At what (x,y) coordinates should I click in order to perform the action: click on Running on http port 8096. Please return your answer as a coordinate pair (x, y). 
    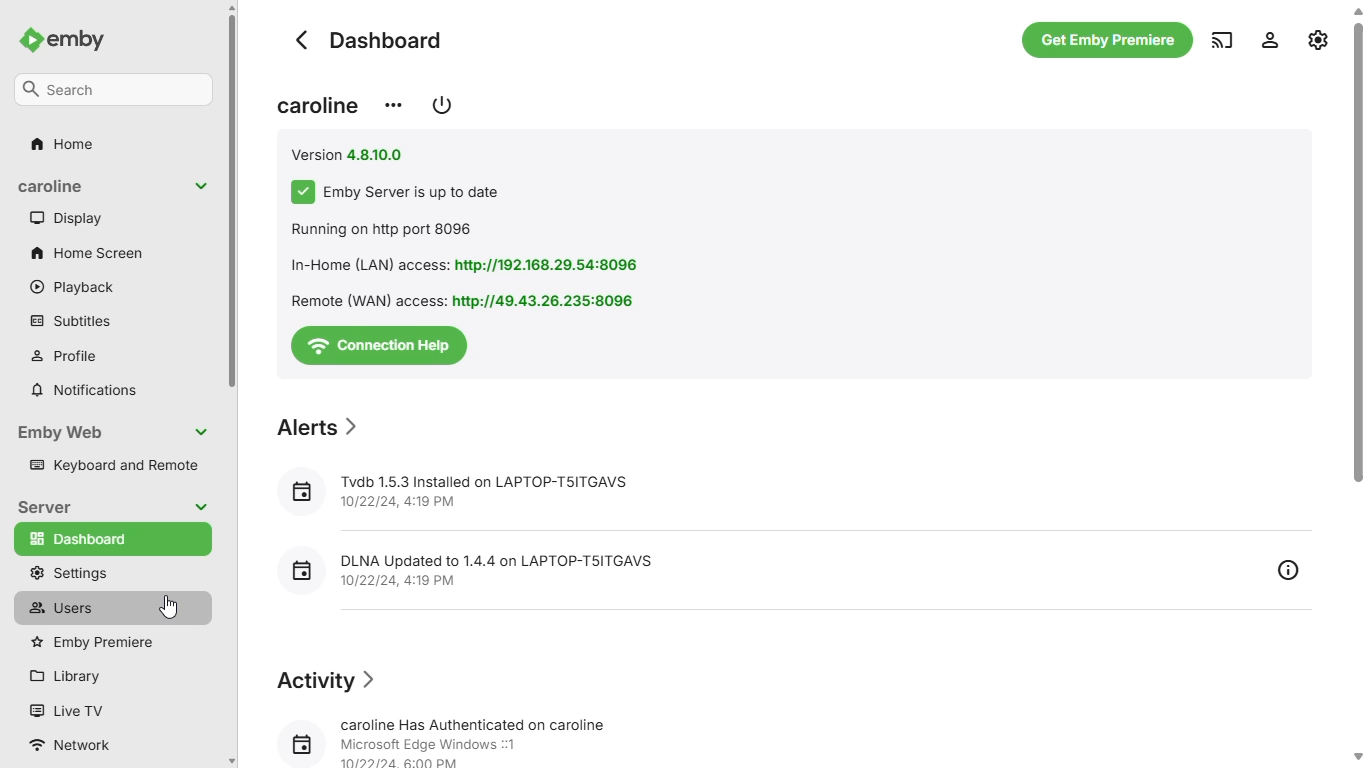
    Looking at the image, I should click on (382, 229).